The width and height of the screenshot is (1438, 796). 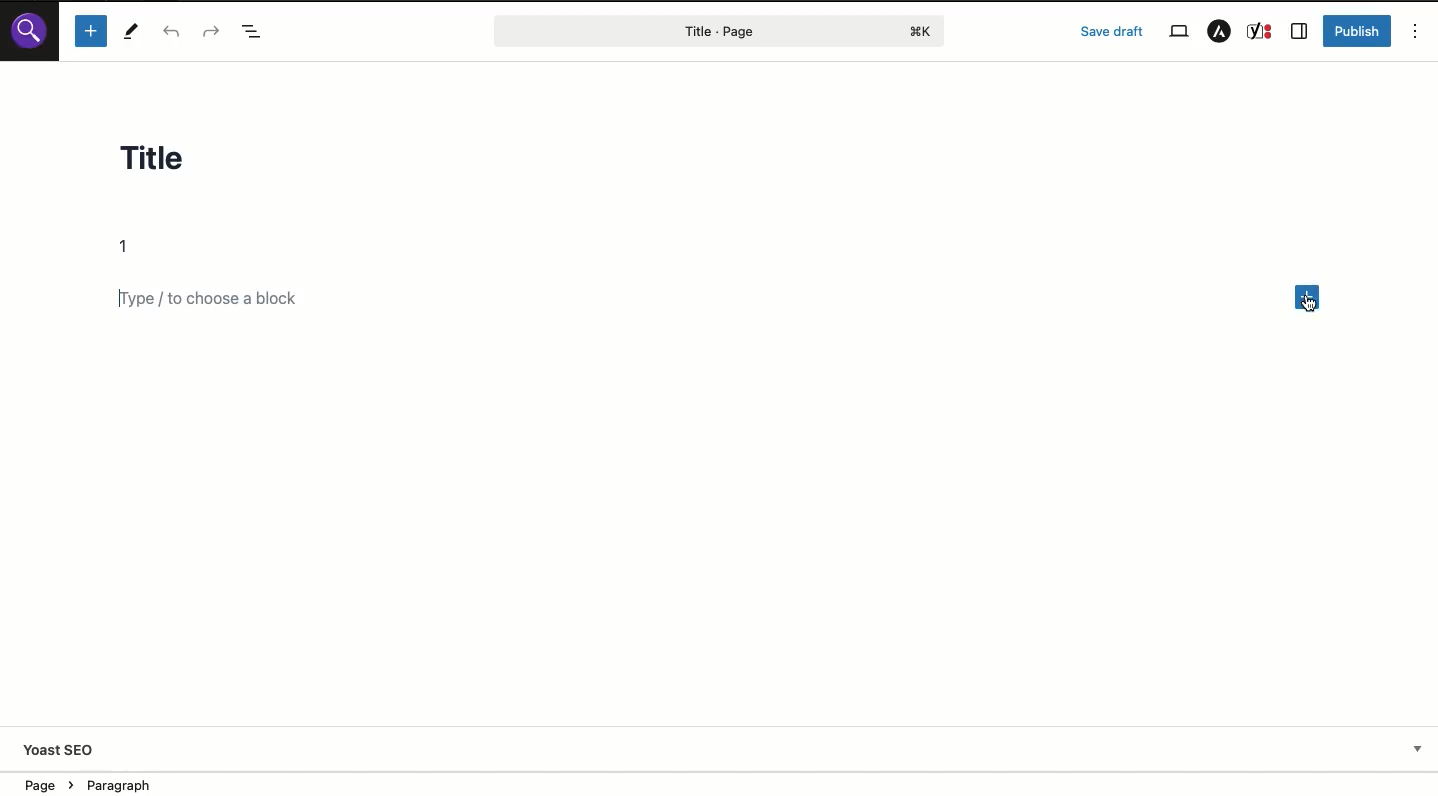 I want to click on Title, so click(x=171, y=163).